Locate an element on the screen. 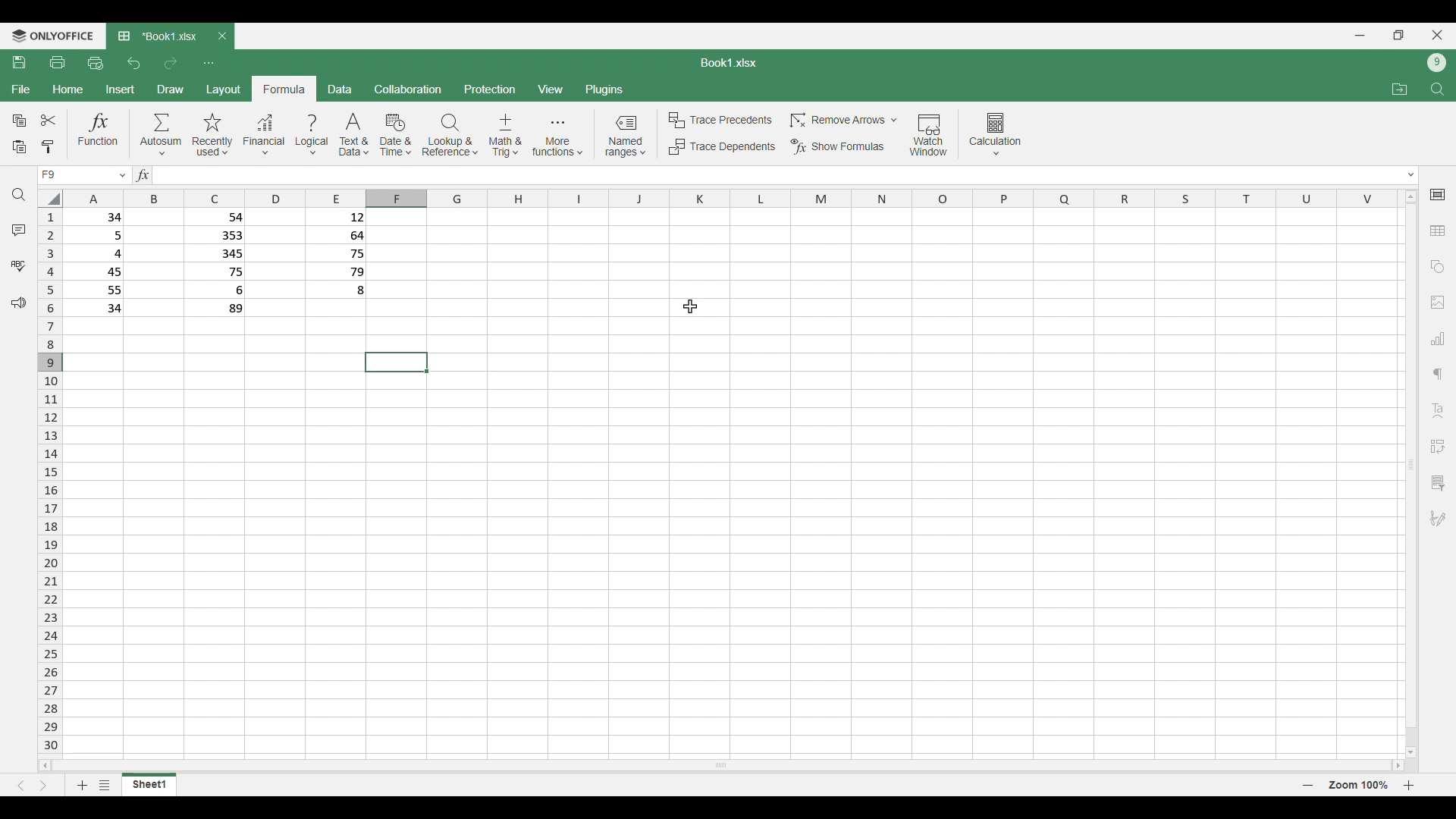 This screenshot has height=819, width=1456. Current sheet is located at coordinates (149, 788).